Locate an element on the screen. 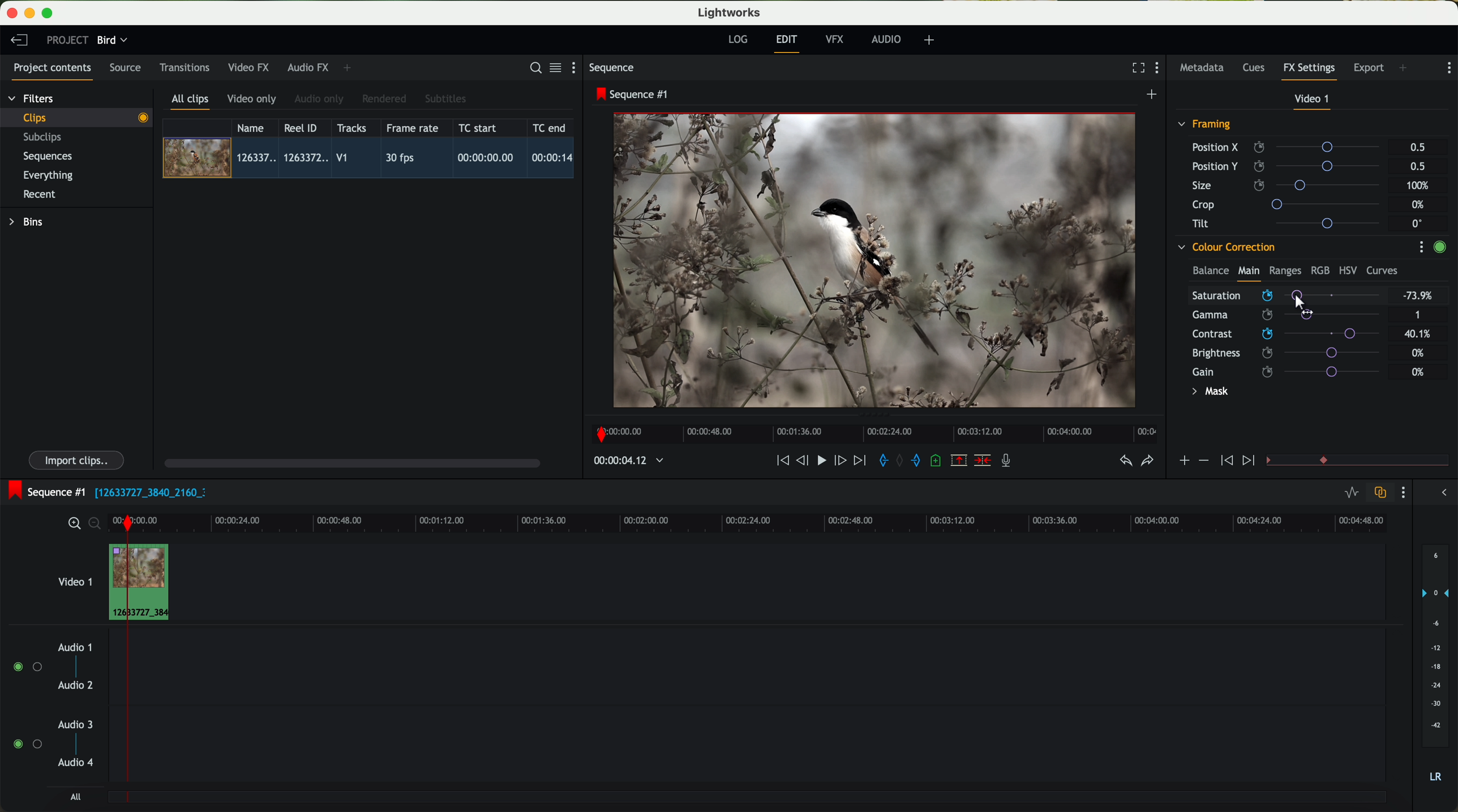  icon is located at coordinates (1250, 461).